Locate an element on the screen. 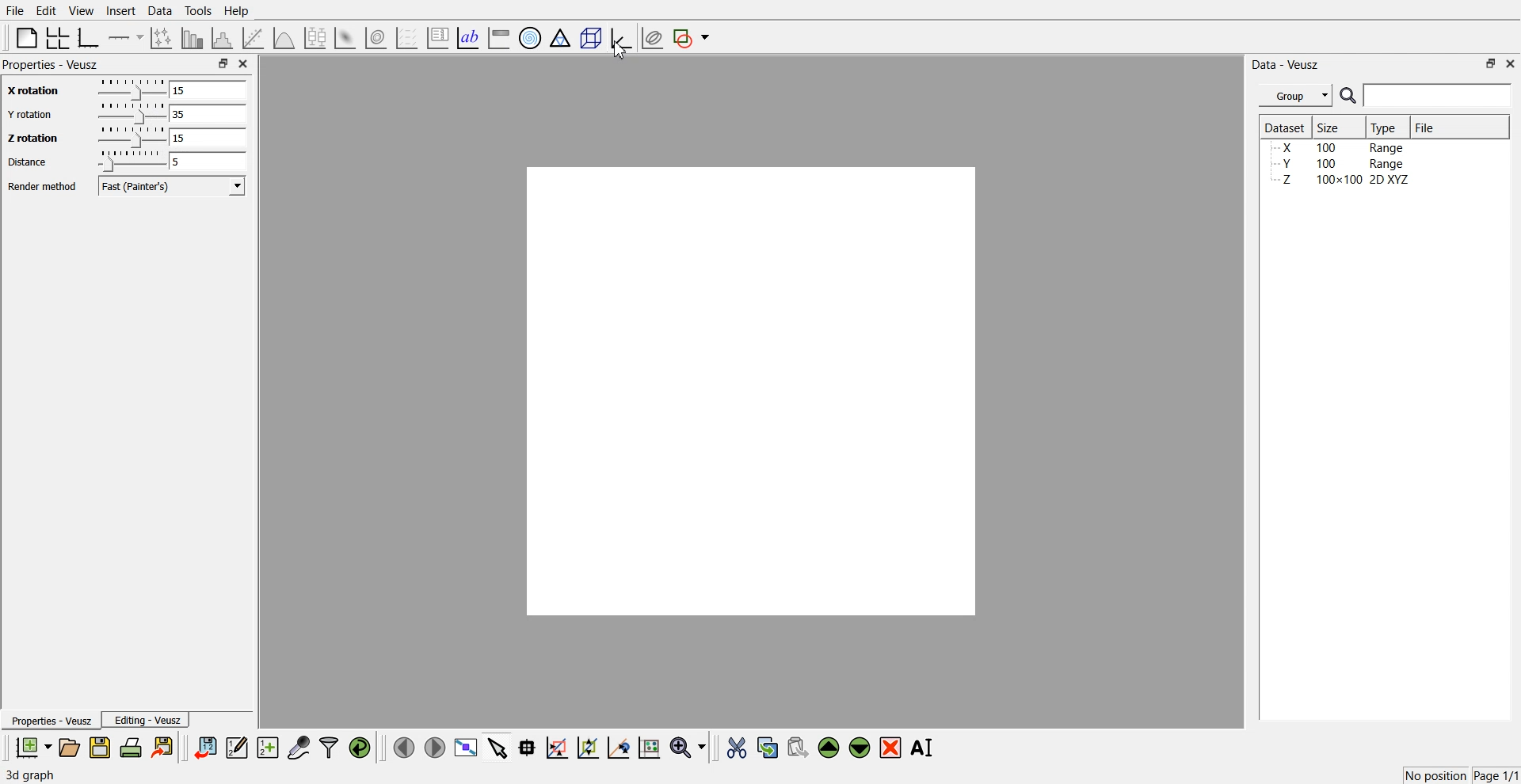  Properties - Veusz is located at coordinates (51, 64).